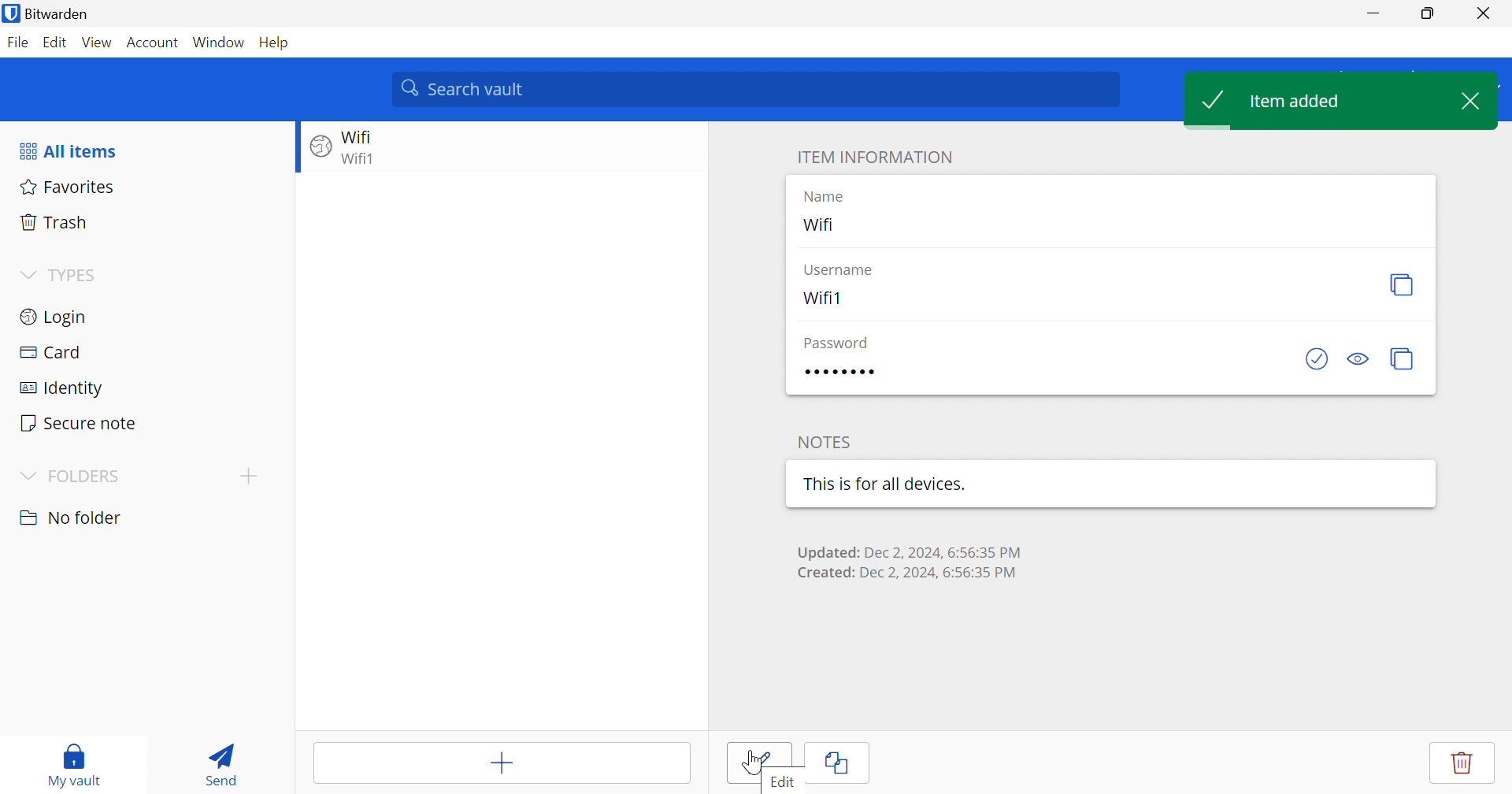 Image resolution: width=1512 pixels, height=794 pixels. Describe the element at coordinates (366, 160) in the screenshot. I see `Wifi1` at that location.